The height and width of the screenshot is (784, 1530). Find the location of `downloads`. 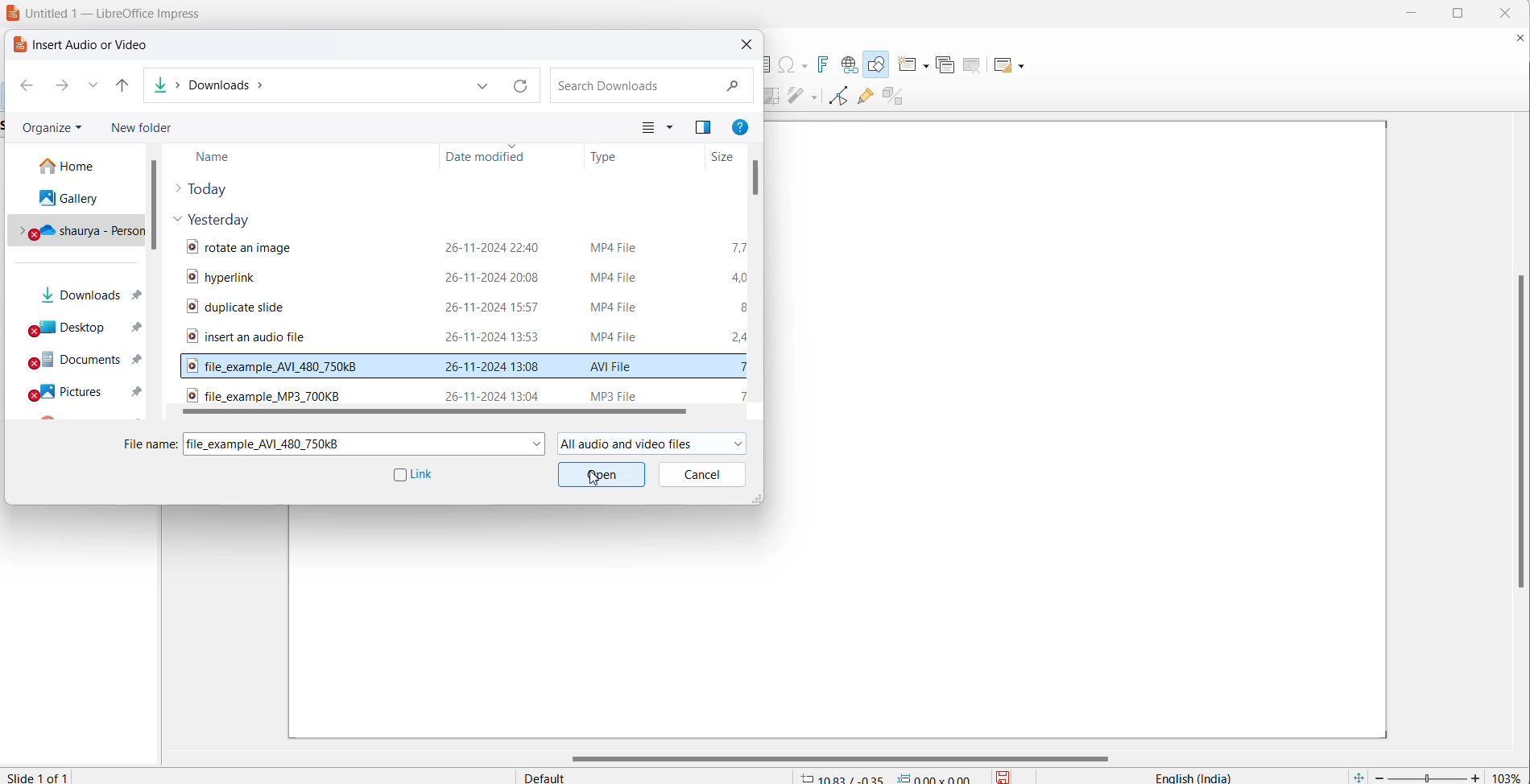

downloads is located at coordinates (90, 295).